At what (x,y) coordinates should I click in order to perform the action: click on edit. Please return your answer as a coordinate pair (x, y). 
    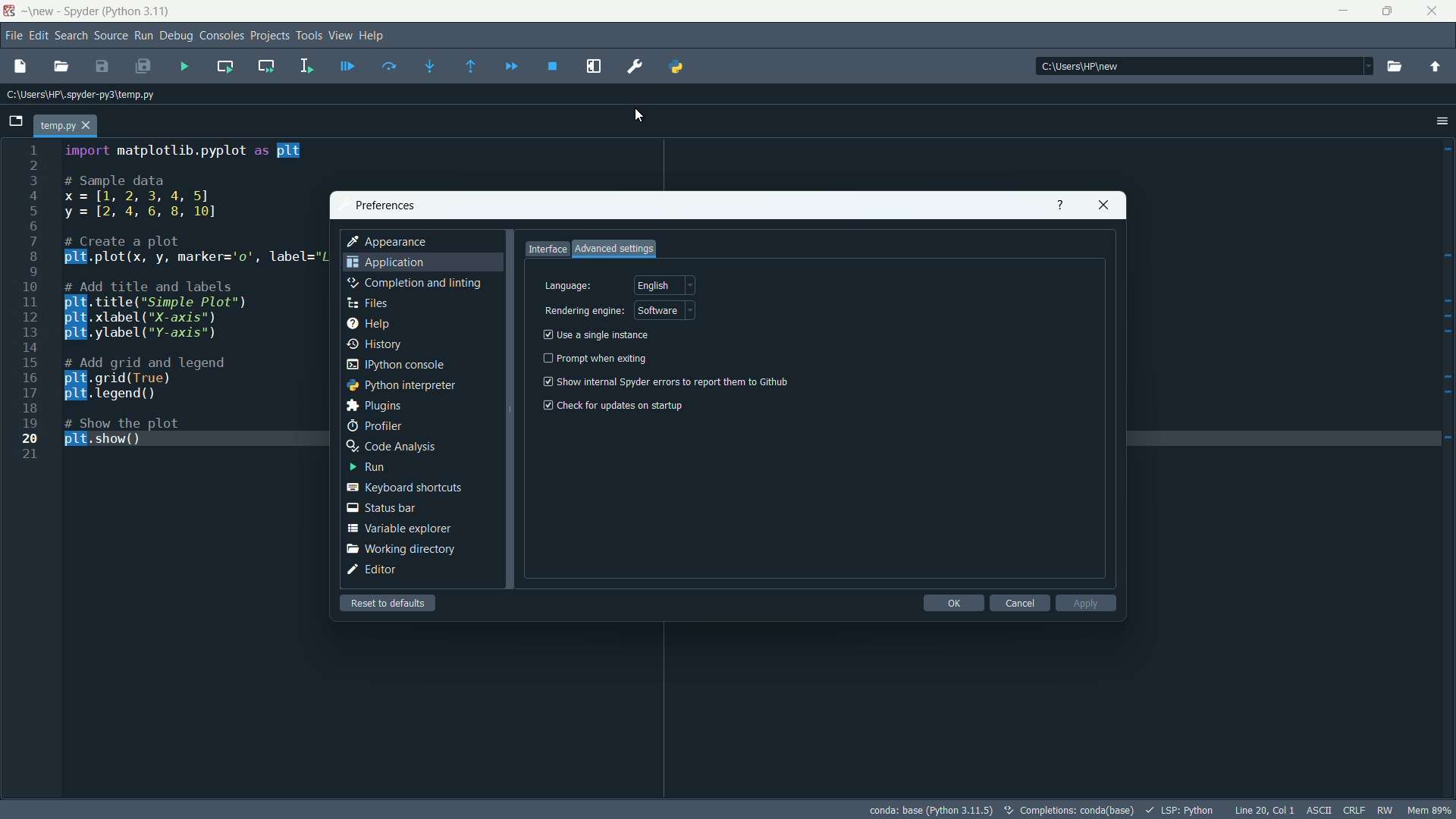
    Looking at the image, I should click on (37, 35).